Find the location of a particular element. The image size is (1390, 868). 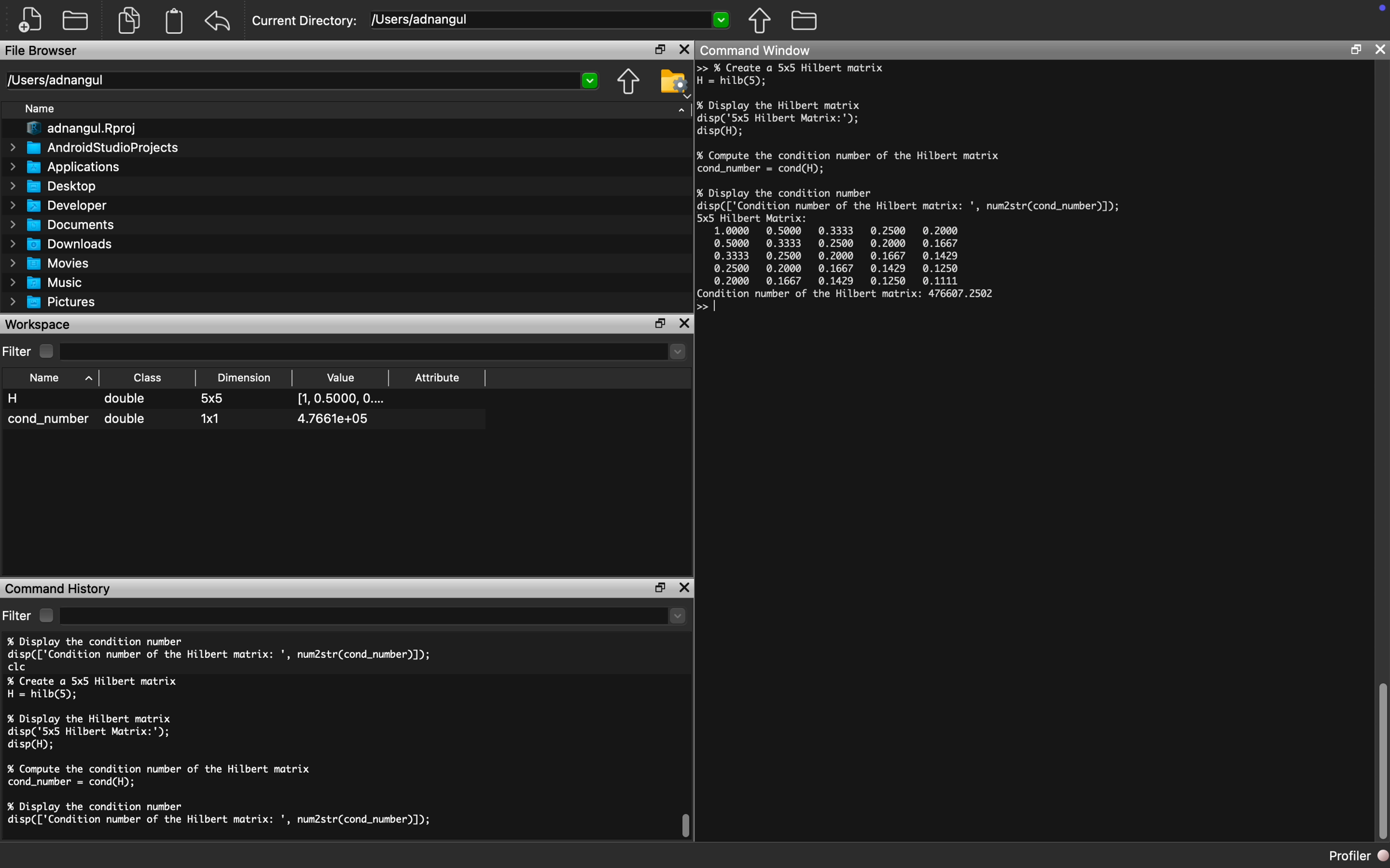

Copy is located at coordinates (128, 18).